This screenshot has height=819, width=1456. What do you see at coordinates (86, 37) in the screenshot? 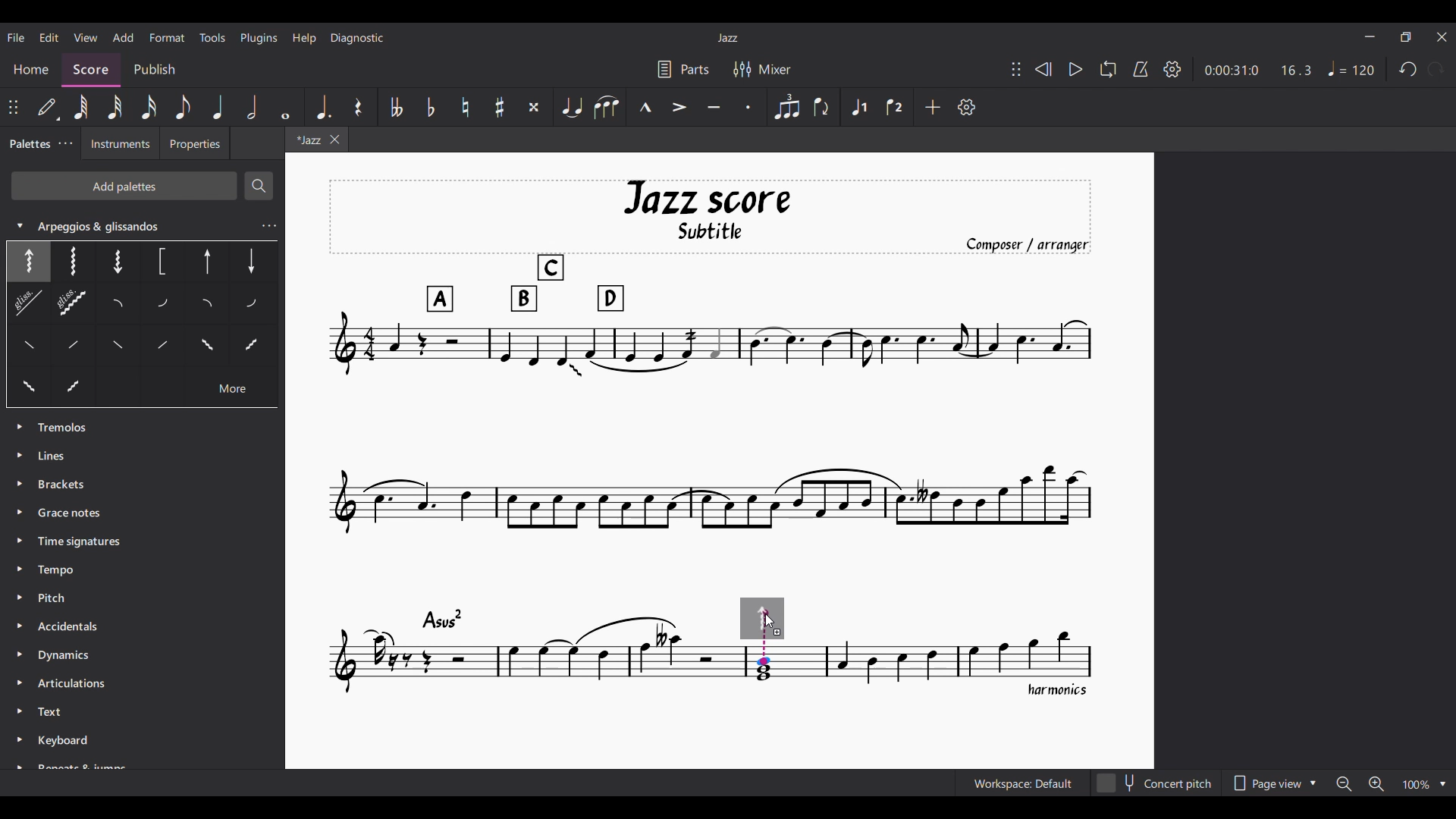
I see `View menu` at bounding box center [86, 37].